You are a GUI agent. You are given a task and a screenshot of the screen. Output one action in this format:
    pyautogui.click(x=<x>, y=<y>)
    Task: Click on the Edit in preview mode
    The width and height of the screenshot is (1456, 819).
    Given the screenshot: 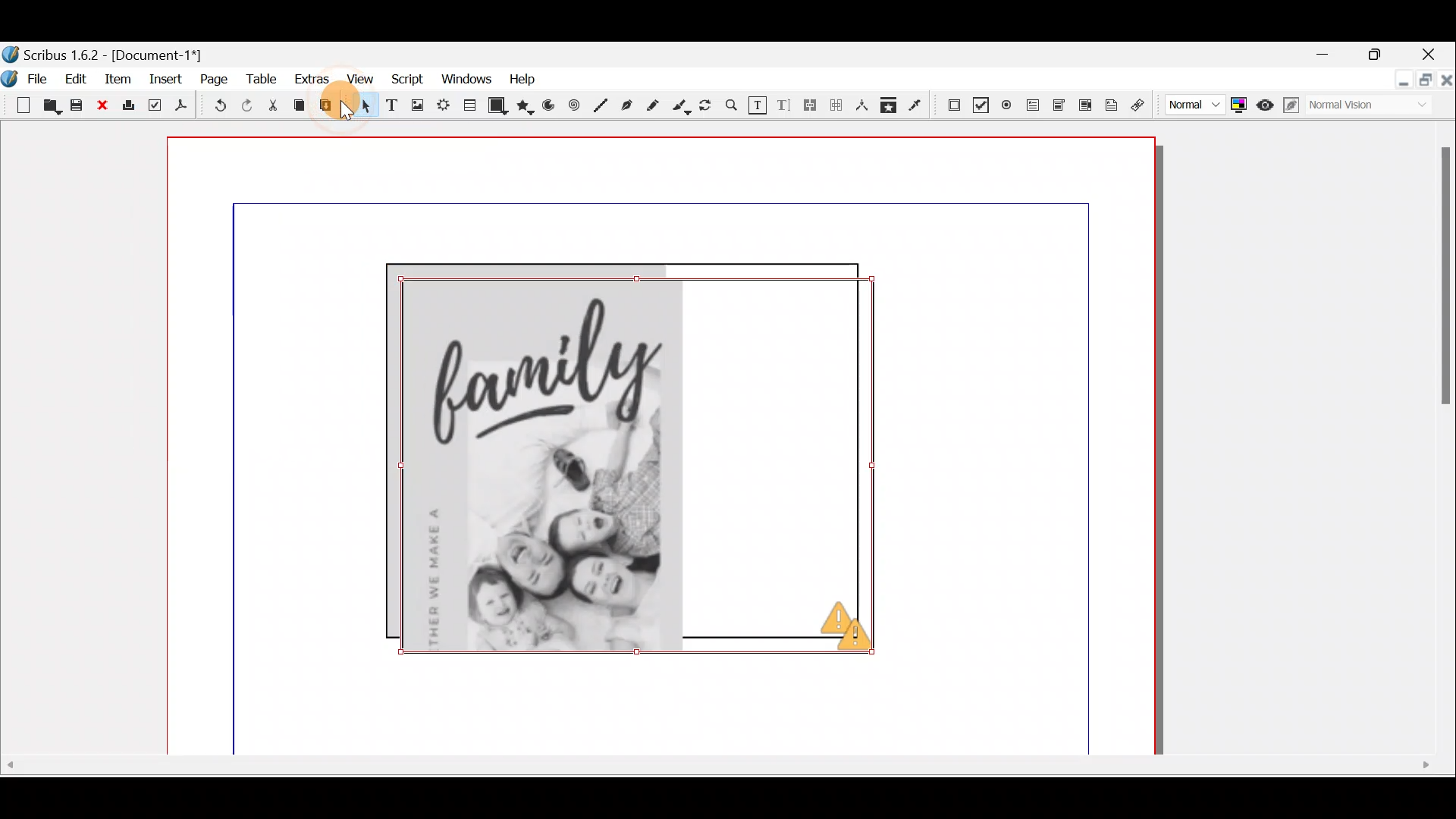 What is the action you would take?
    pyautogui.click(x=1294, y=108)
    